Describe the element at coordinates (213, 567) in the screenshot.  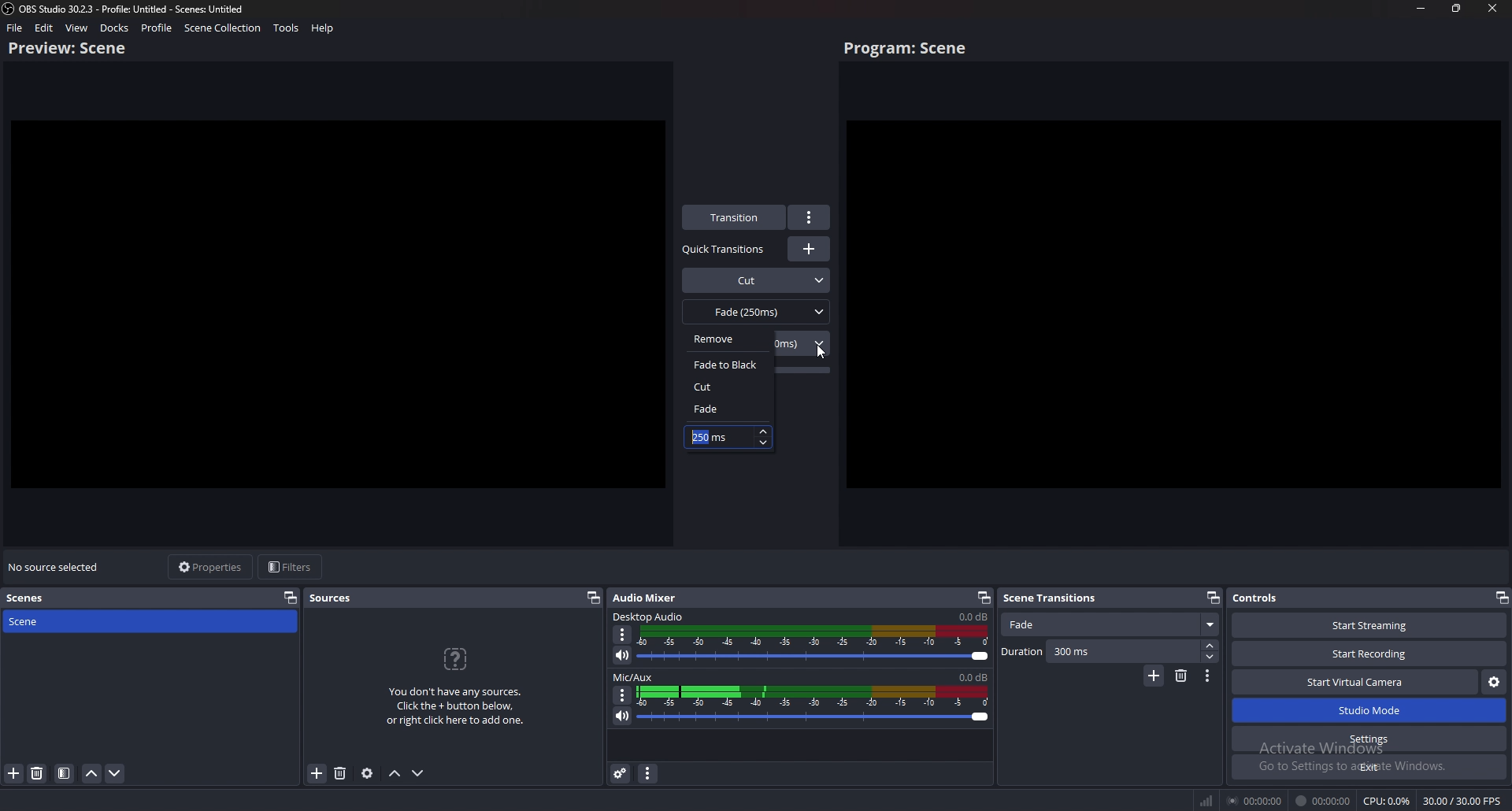
I see `properties` at that location.